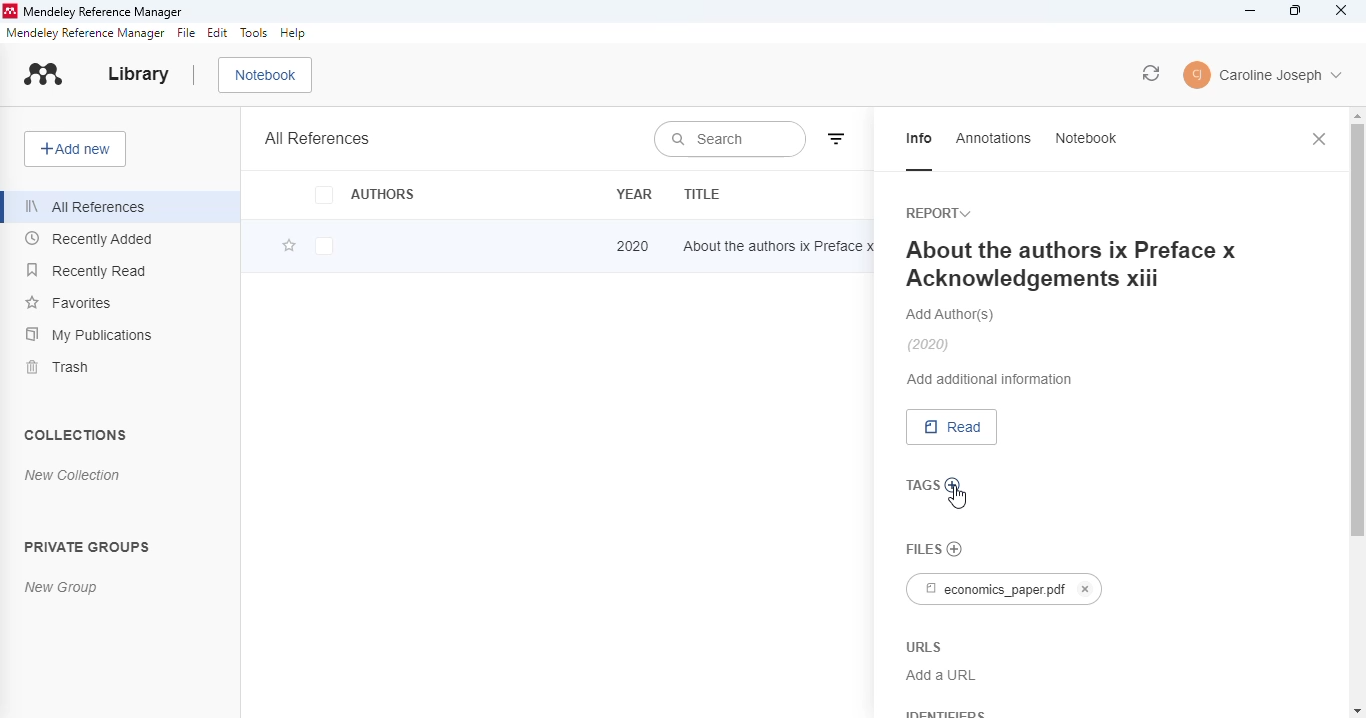 Image resolution: width=1366 pixels, height=718 pixels. I want to click on checkbox, so click(326, 248).